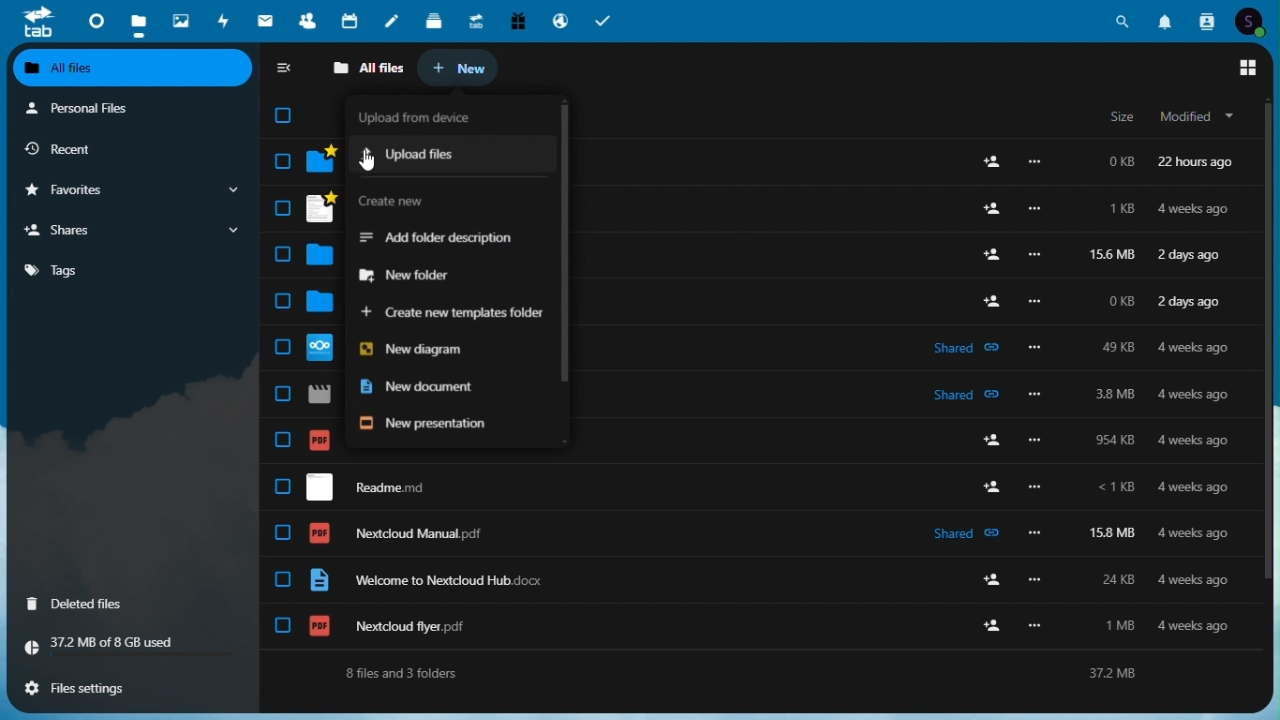 This screenshot has height=720, width=1280. What do you see at coordinates (1196, 443) in the screenshot?
I see `4 weeks ago` at bounding box center [1196, 443].